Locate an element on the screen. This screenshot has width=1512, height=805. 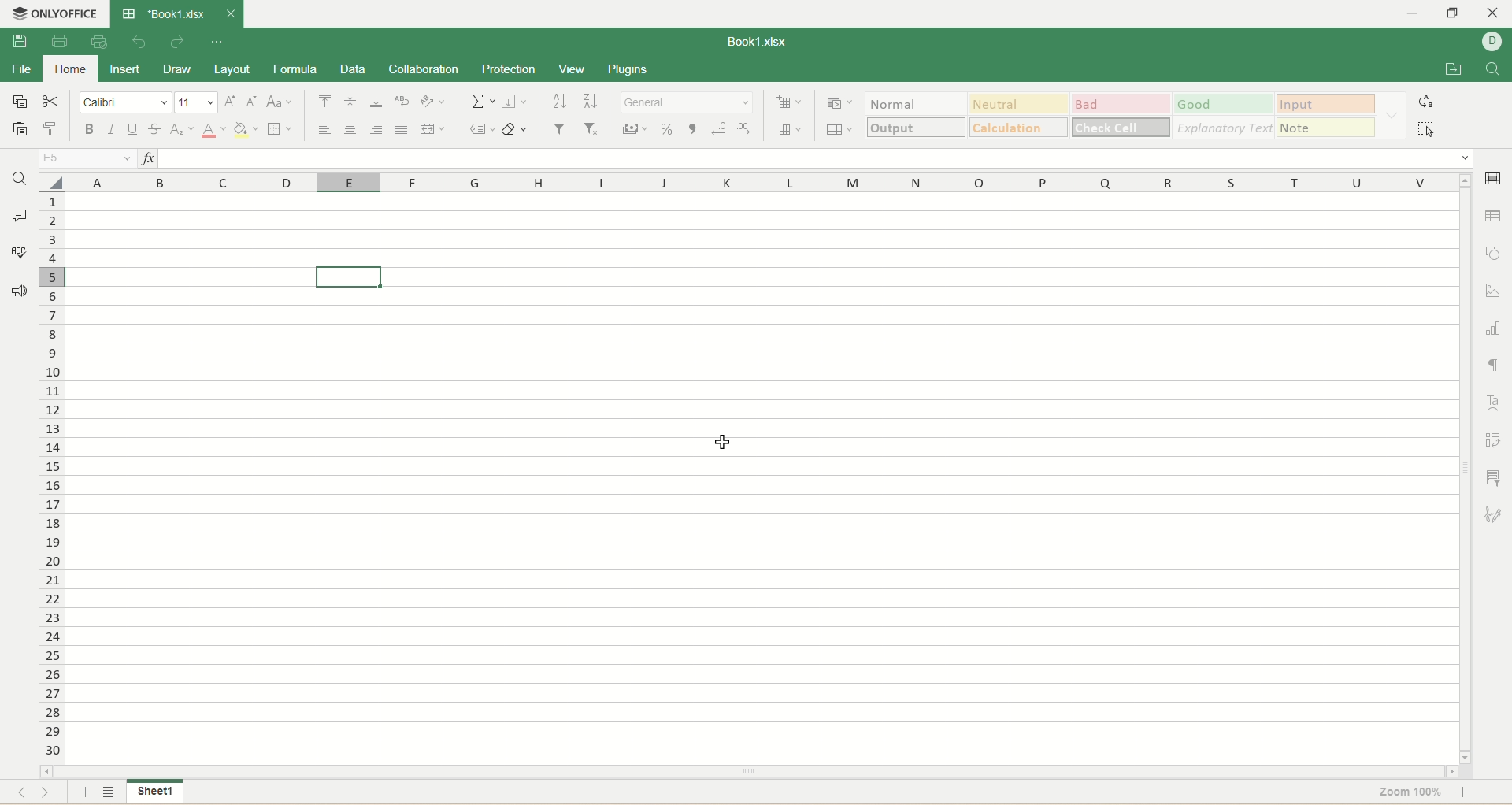
close is located at coordinates (228, 15).